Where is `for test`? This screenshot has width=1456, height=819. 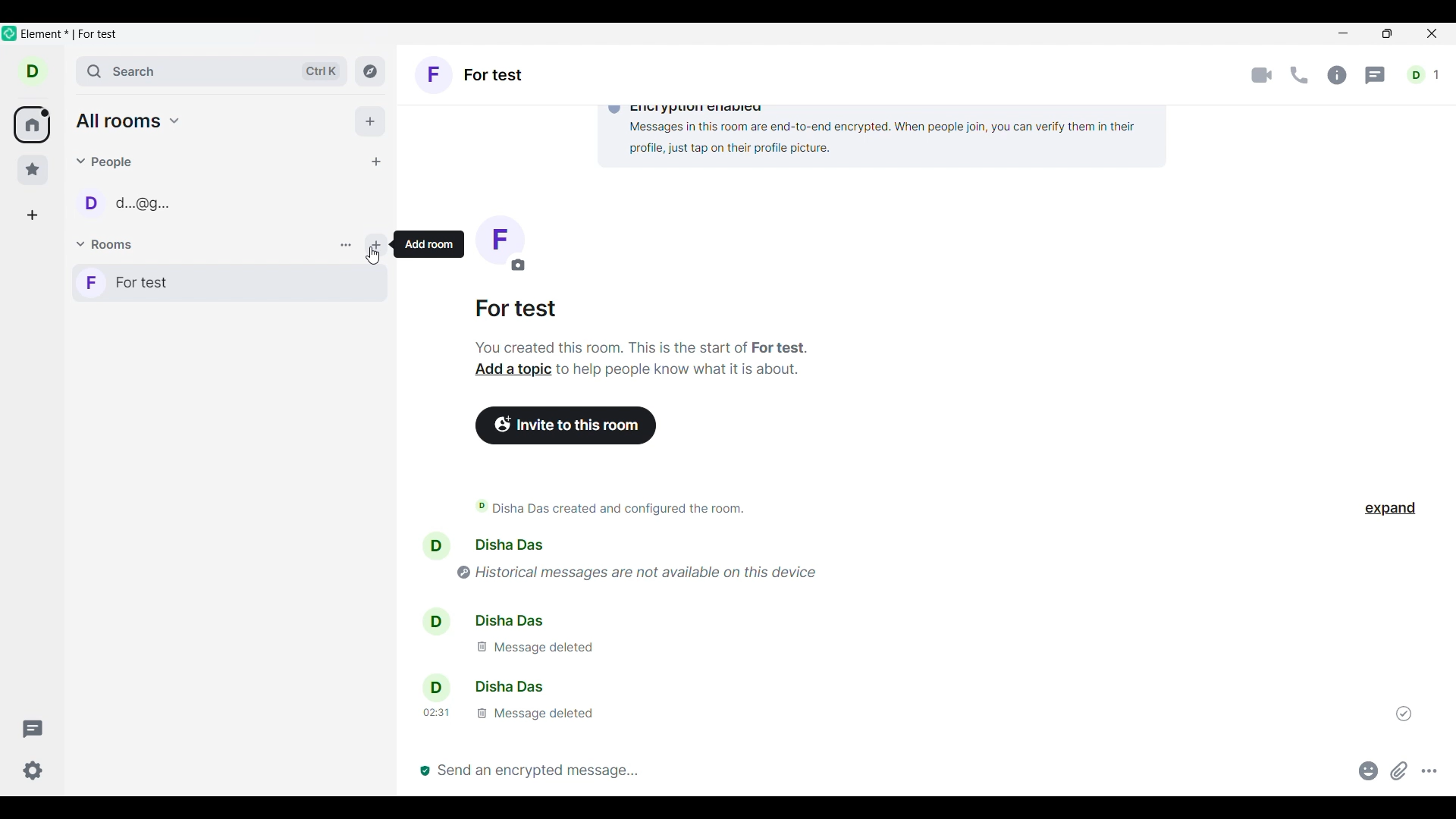 for test is located at coordinates (518, 309).